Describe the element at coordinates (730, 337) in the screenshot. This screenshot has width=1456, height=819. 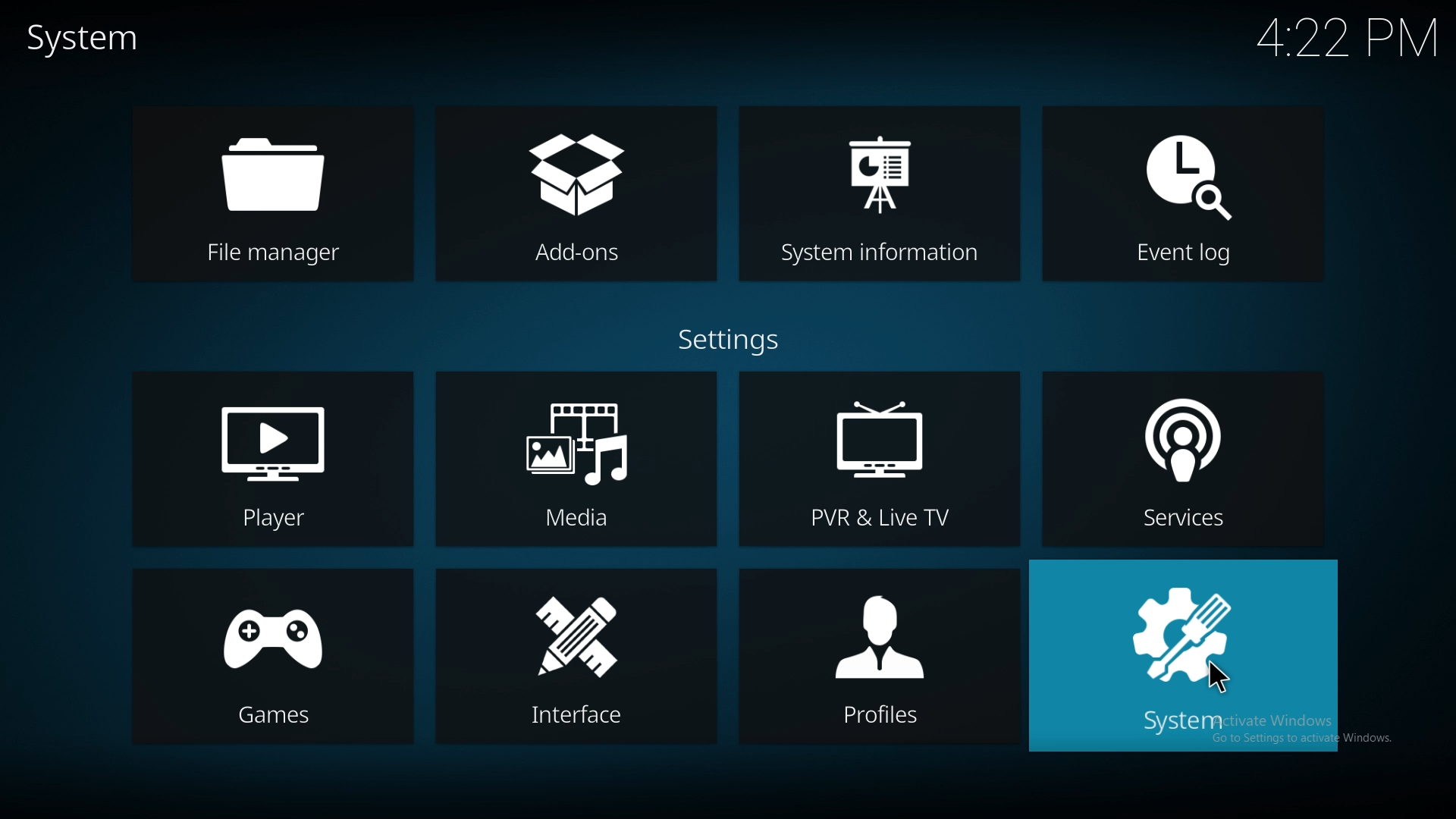
I see `settings` at that location.